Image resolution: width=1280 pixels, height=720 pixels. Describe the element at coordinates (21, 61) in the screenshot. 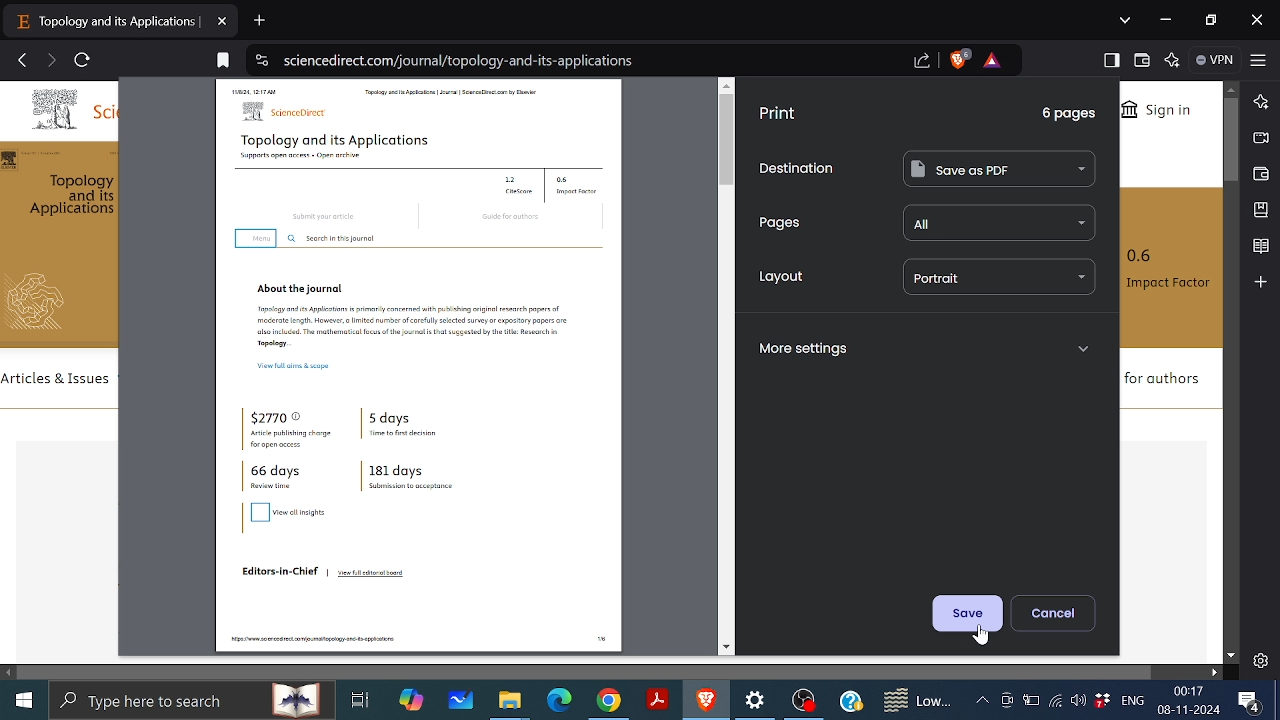

I see `Go back to previous page` at that location.